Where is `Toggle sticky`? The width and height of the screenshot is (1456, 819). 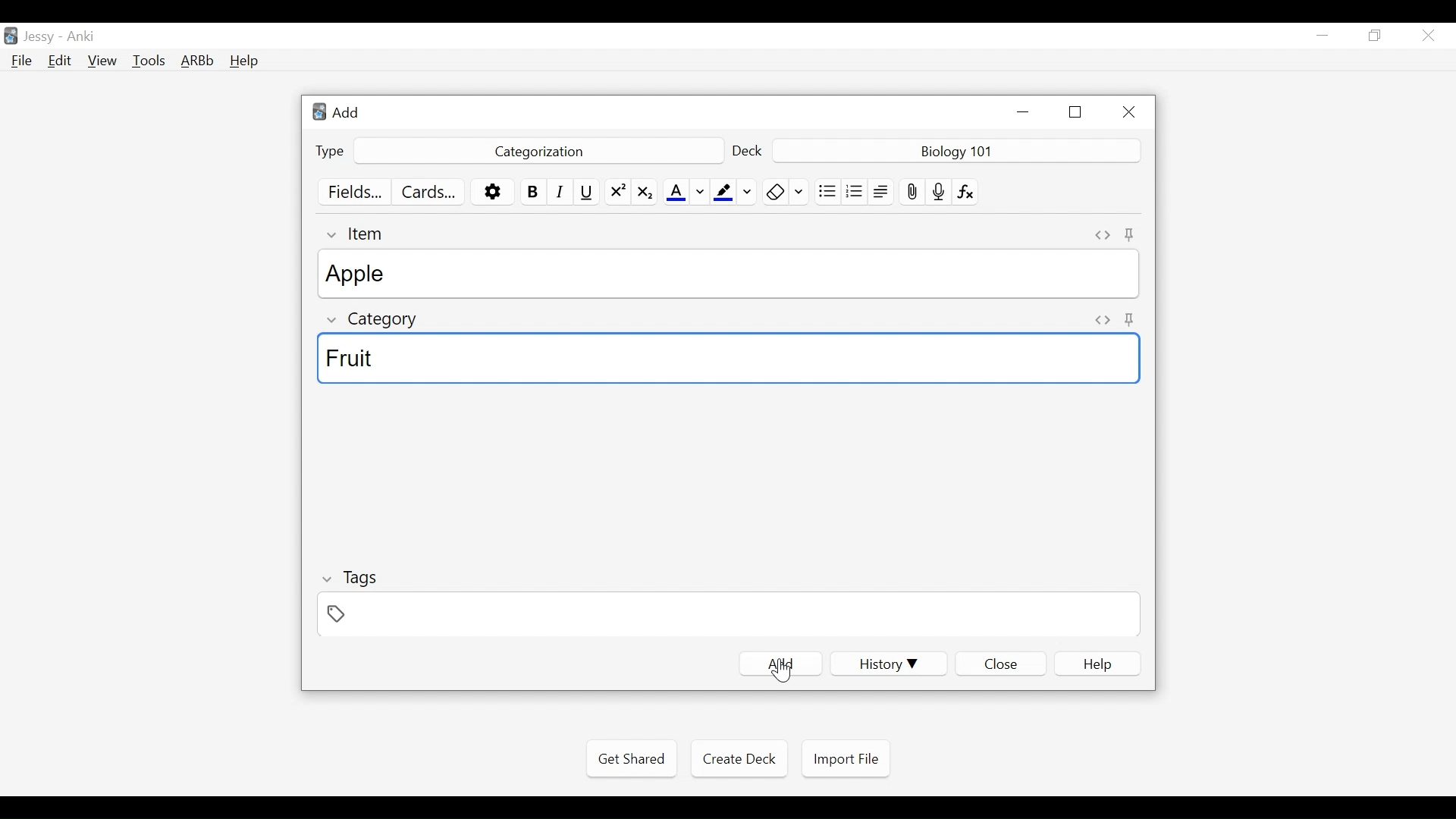 Toggle sticky is located at coordinates (1131, 318).